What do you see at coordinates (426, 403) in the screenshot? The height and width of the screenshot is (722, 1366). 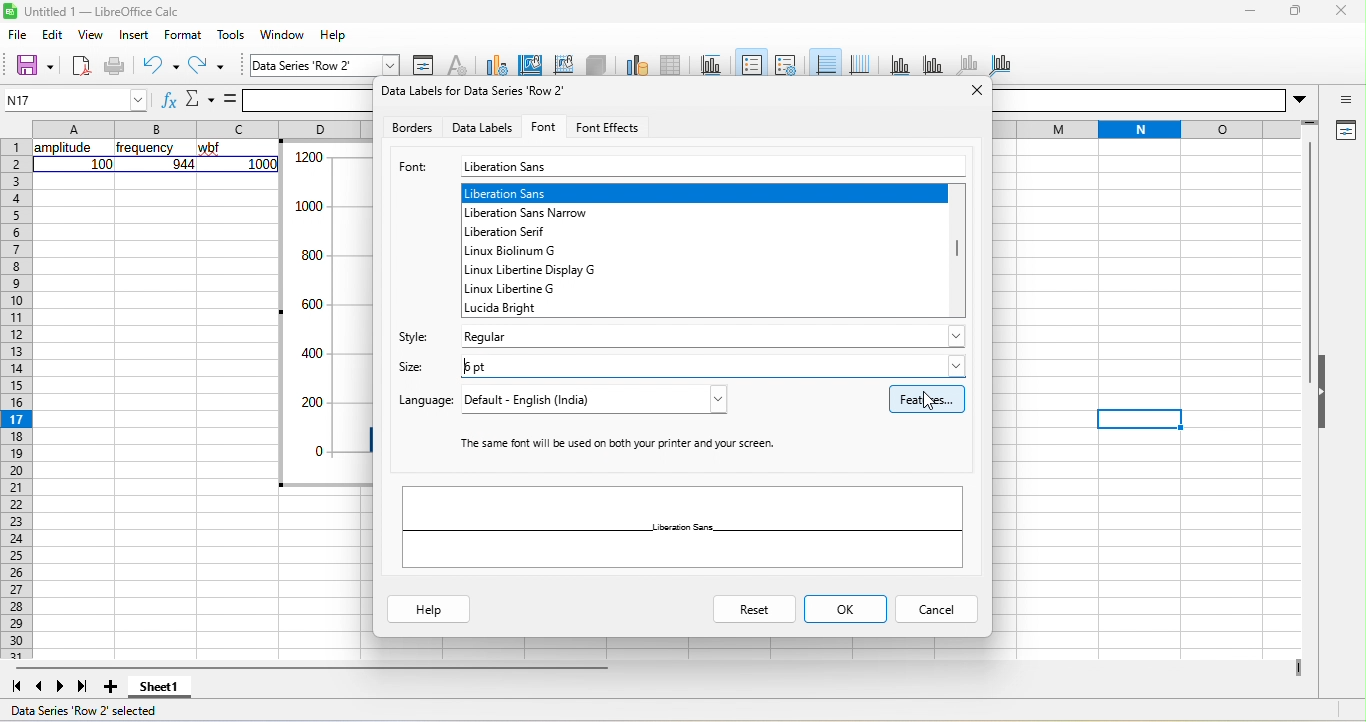 I see `language` at bounding box center [426, 403].